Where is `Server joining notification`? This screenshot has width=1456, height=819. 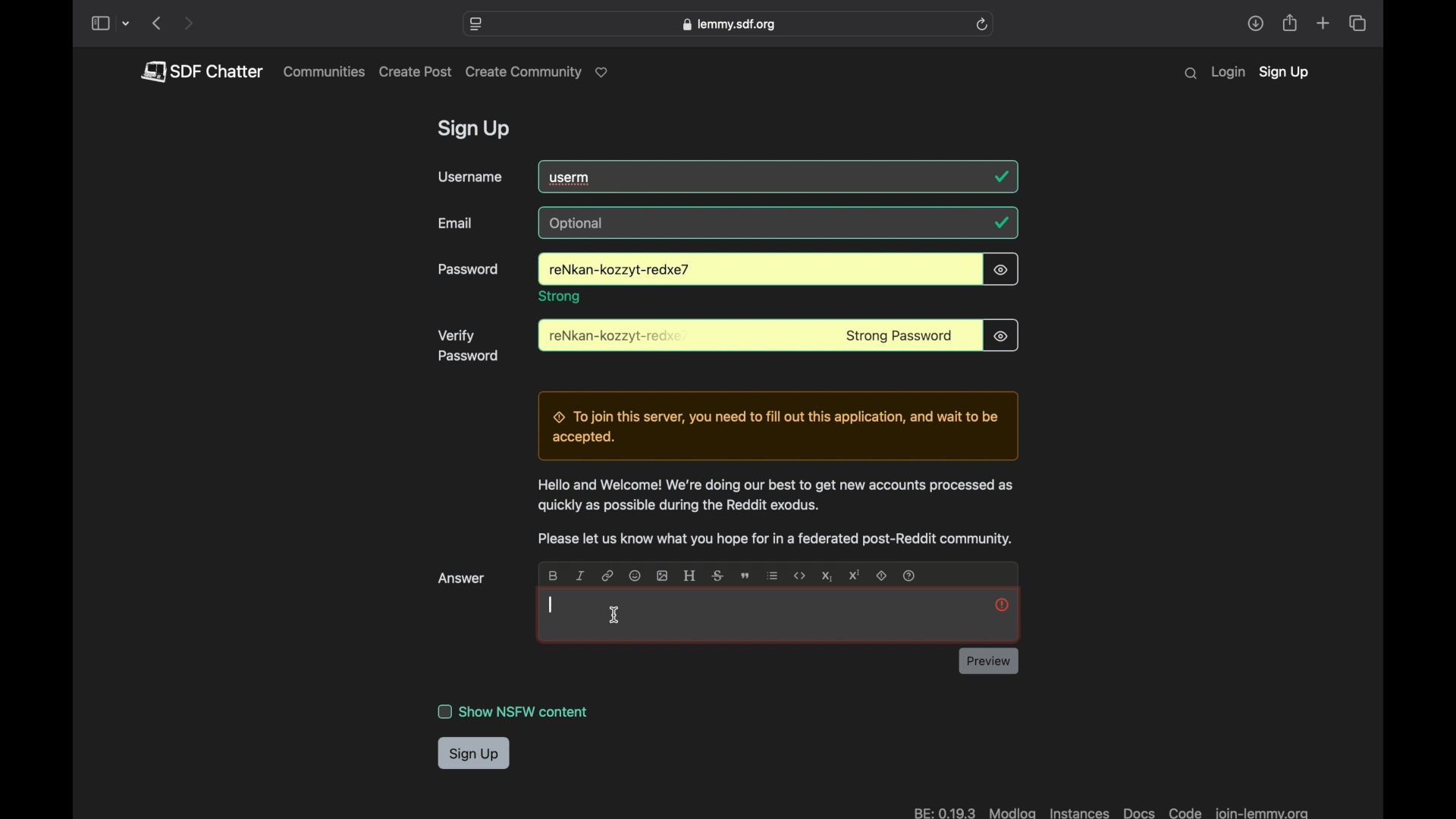 Server joining notification is located at coordinates (777, 426).